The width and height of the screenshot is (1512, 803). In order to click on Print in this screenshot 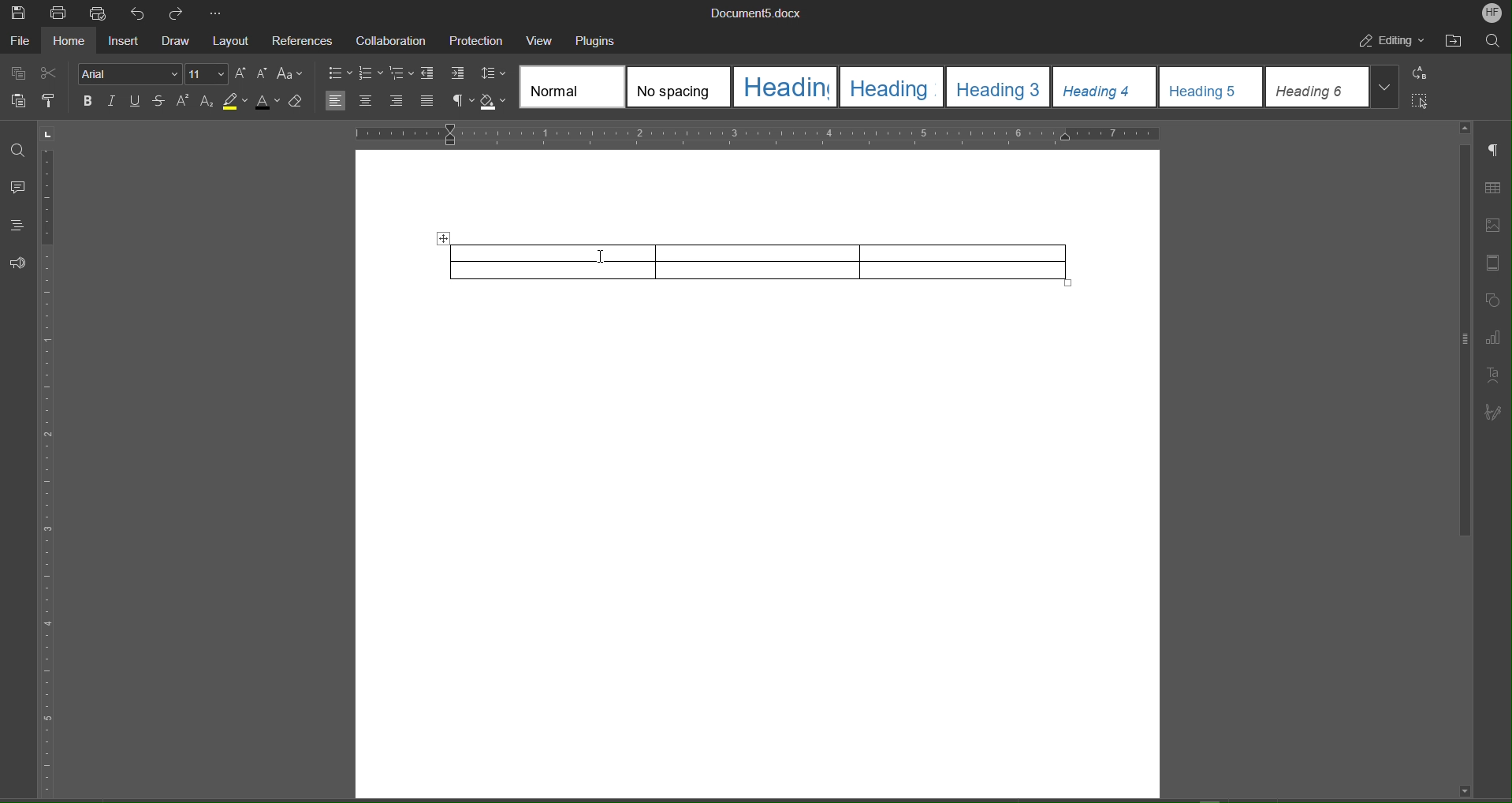, I will do `click(58, 13)`.